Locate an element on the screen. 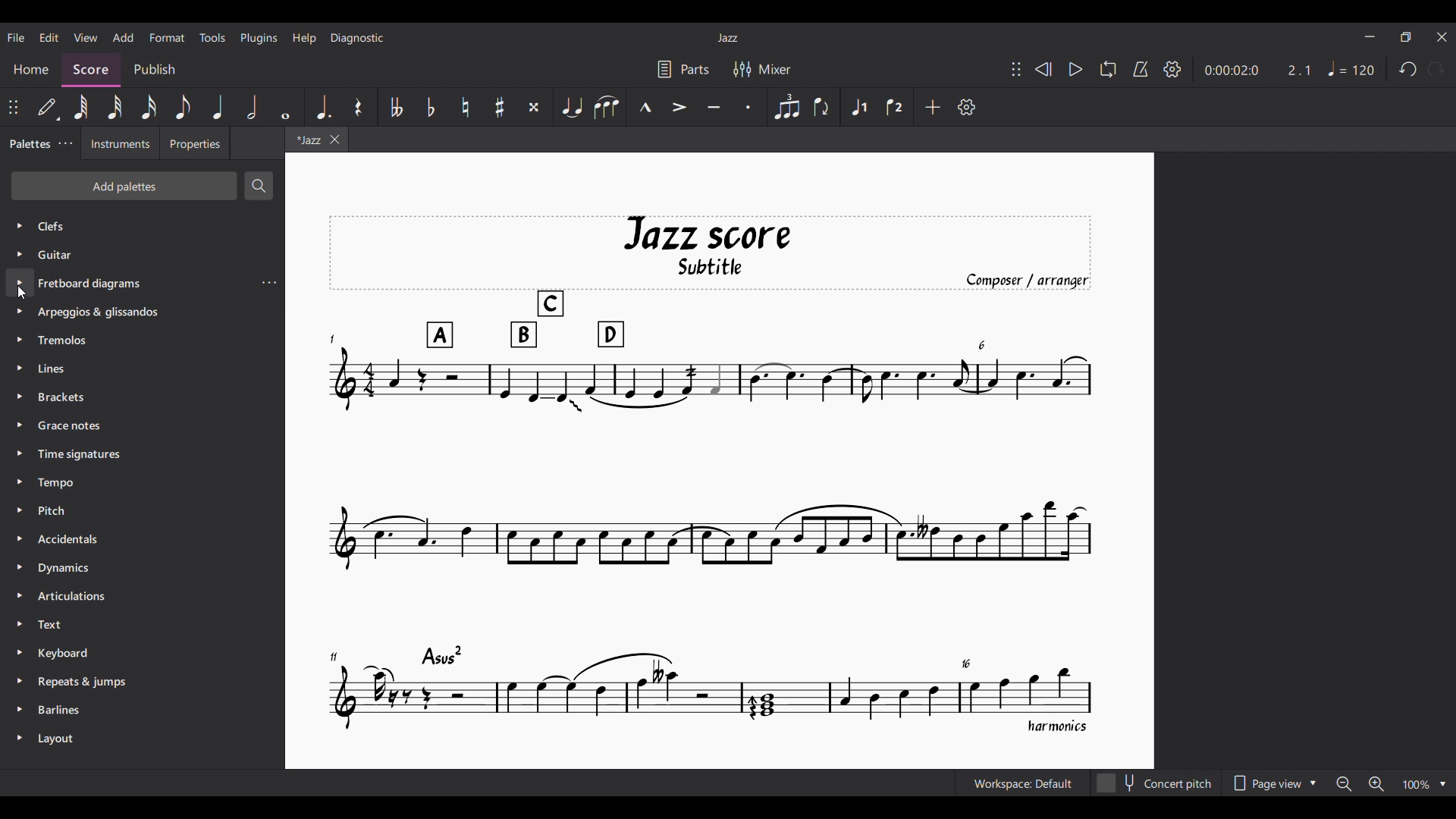  Repeats is located at coordinates (87, 682).